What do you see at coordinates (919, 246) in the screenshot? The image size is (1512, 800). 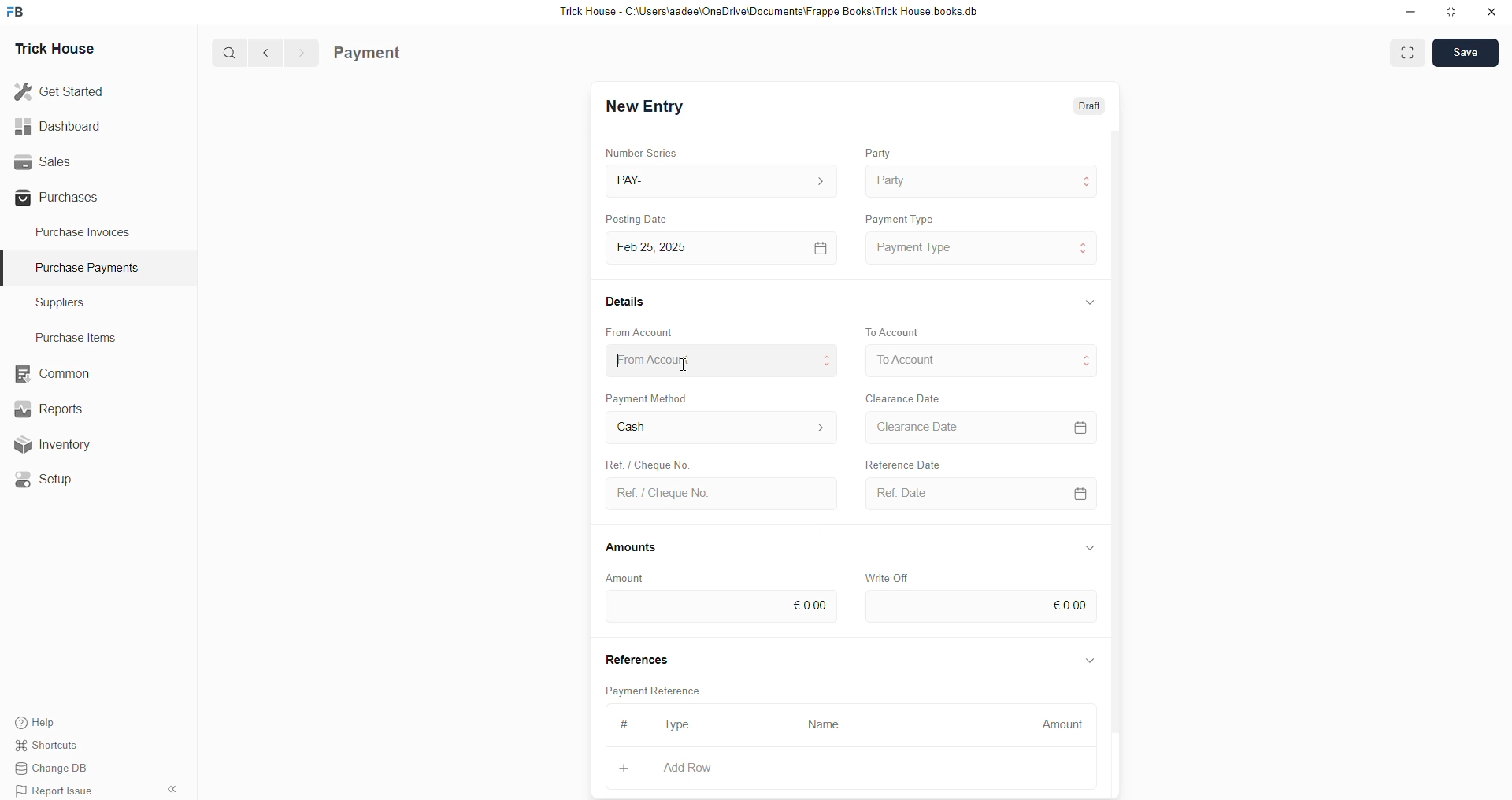 I see `Payment Type` at bounding box center [919, 246].